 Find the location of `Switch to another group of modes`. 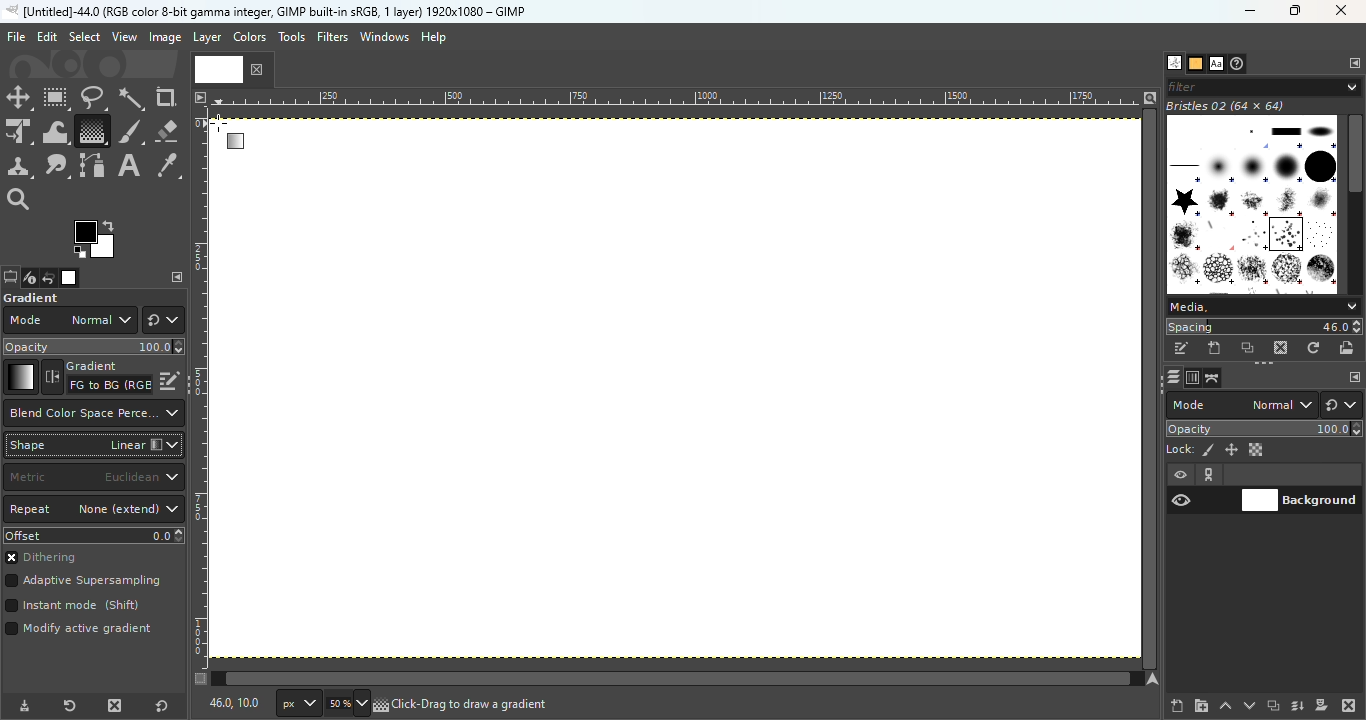

Switch to another group of modes is located at coordinates (163, 320).